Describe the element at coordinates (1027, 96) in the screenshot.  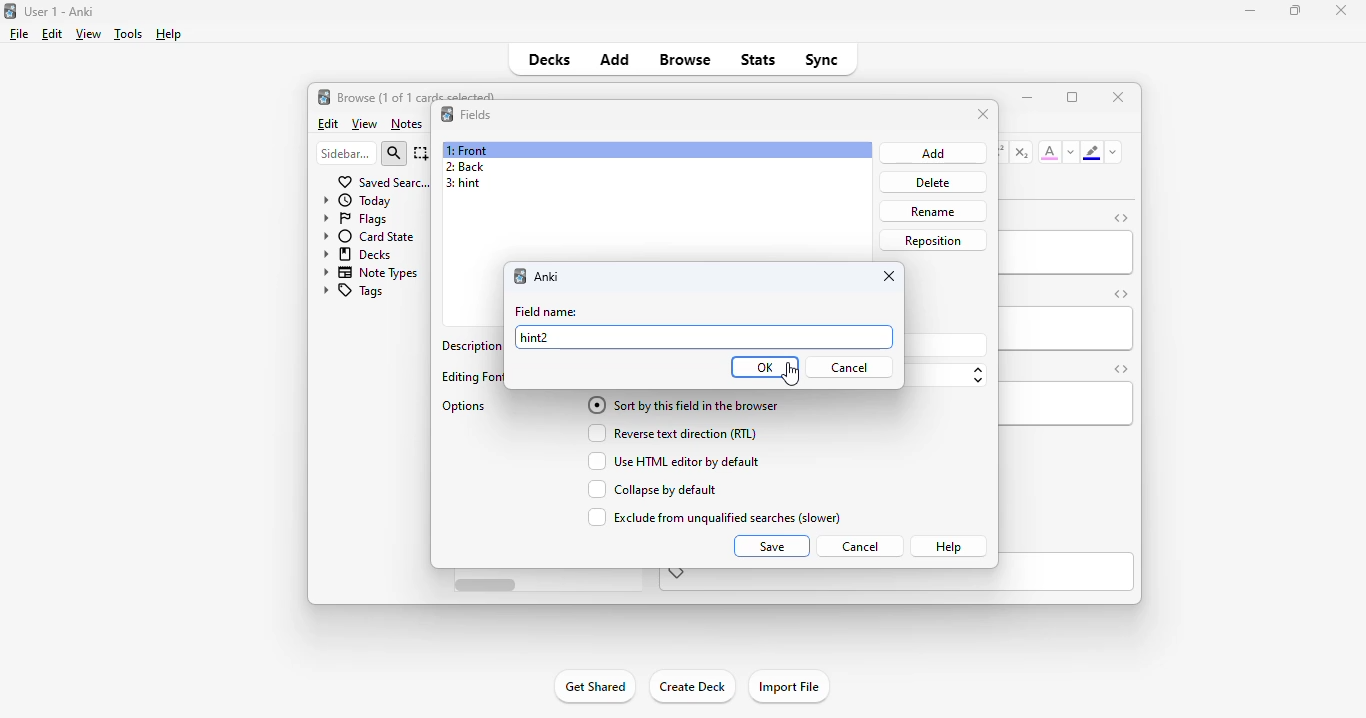
I see `minimize` at that location.